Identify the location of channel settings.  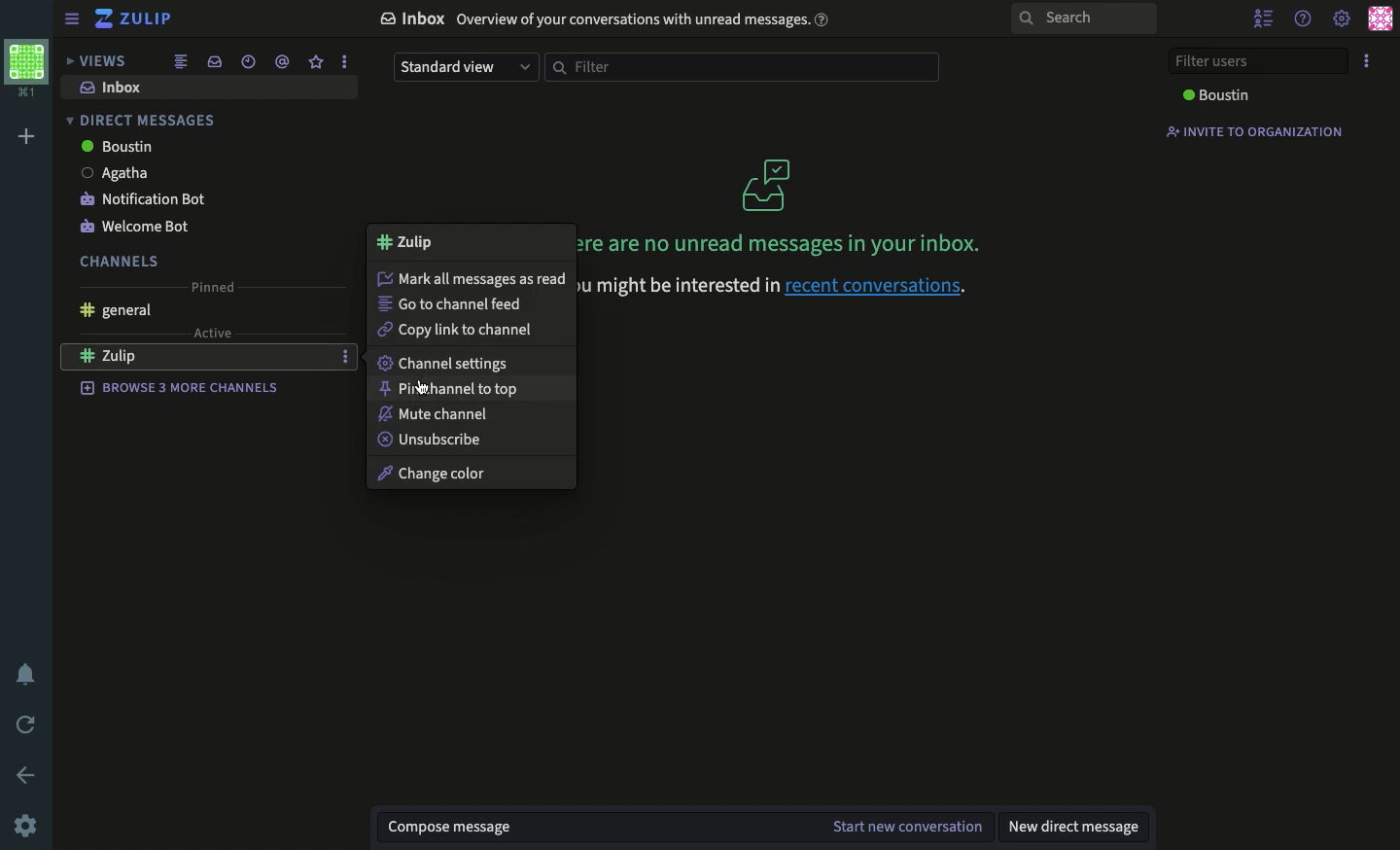
(442, 365).